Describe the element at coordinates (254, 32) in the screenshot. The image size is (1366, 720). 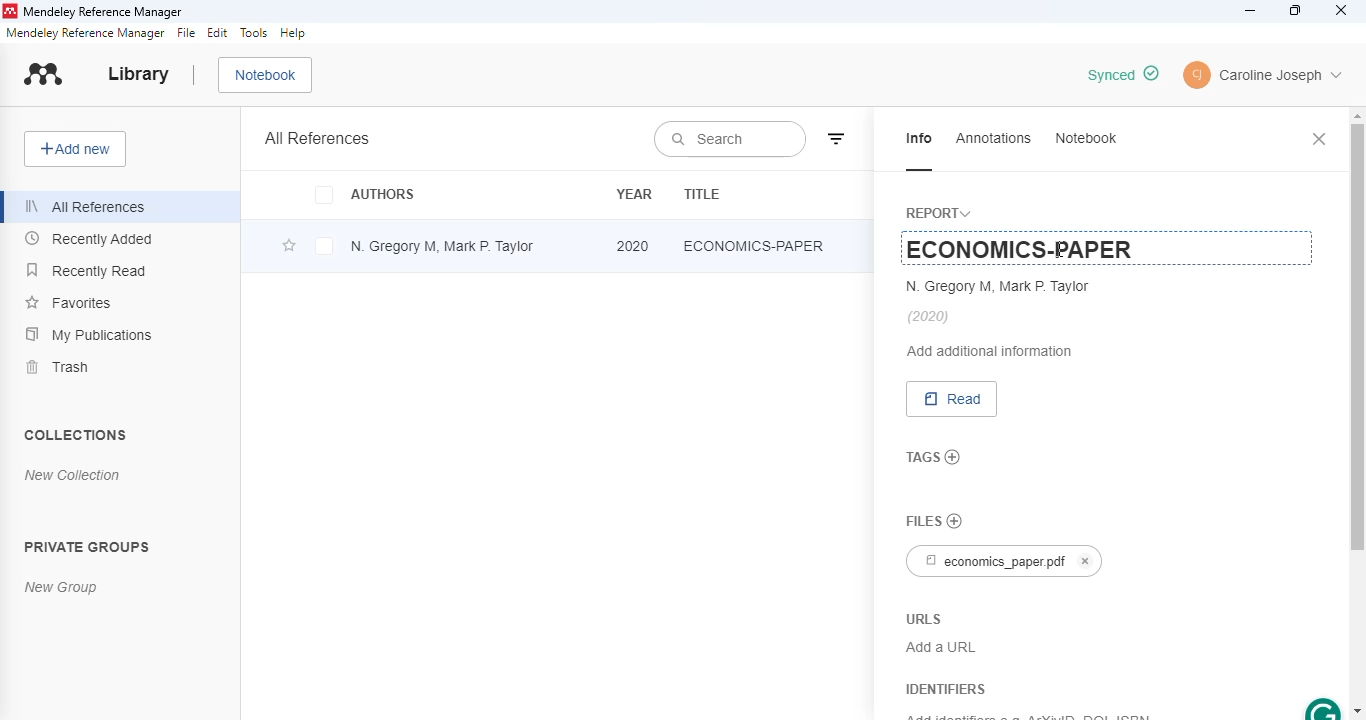
I see `tools` at that location.